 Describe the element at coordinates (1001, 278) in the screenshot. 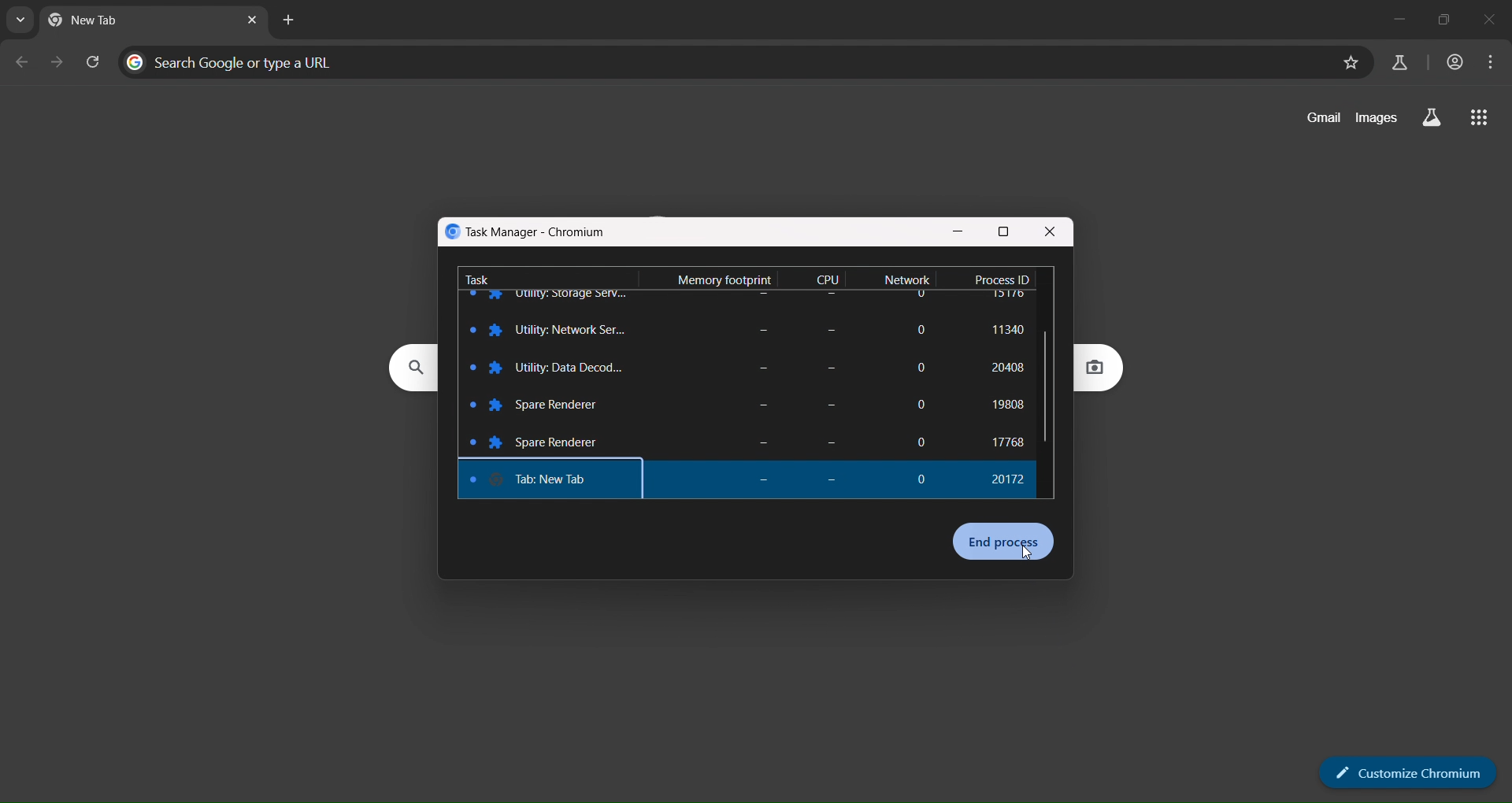

I see `Process ID` at that location.